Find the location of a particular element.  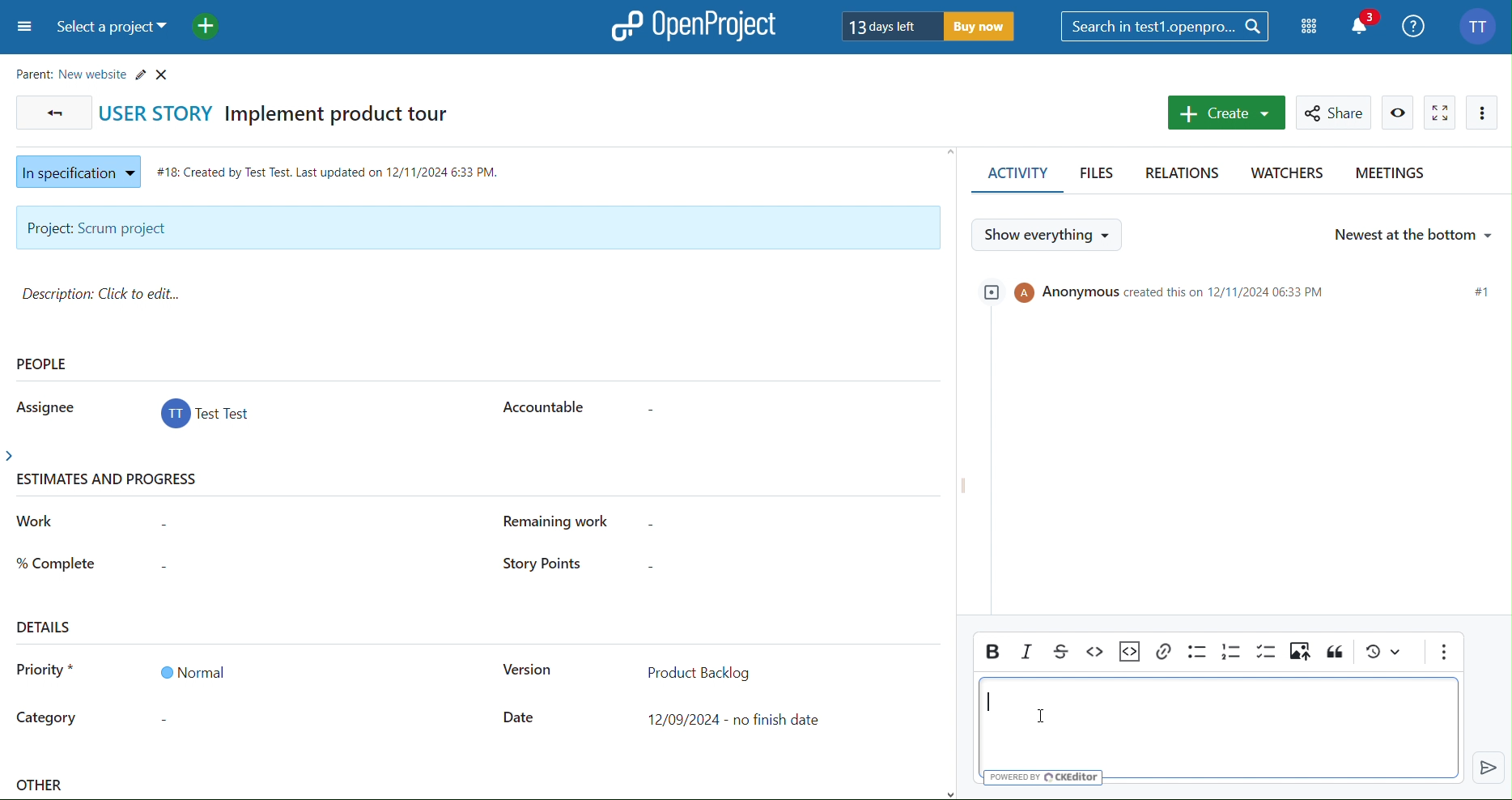

Account is located at coordinates (1480, 24).